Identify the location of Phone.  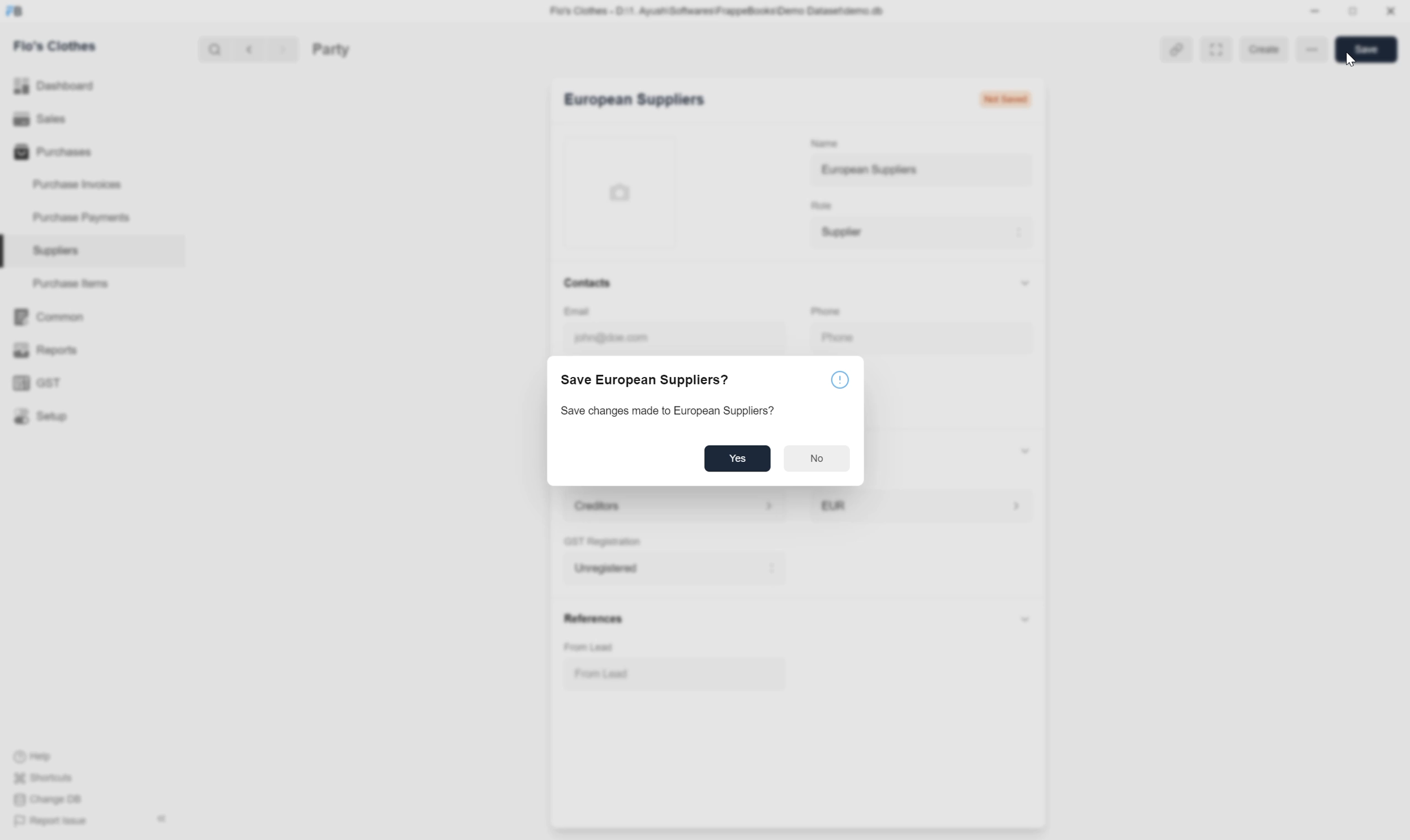
(839, 309).